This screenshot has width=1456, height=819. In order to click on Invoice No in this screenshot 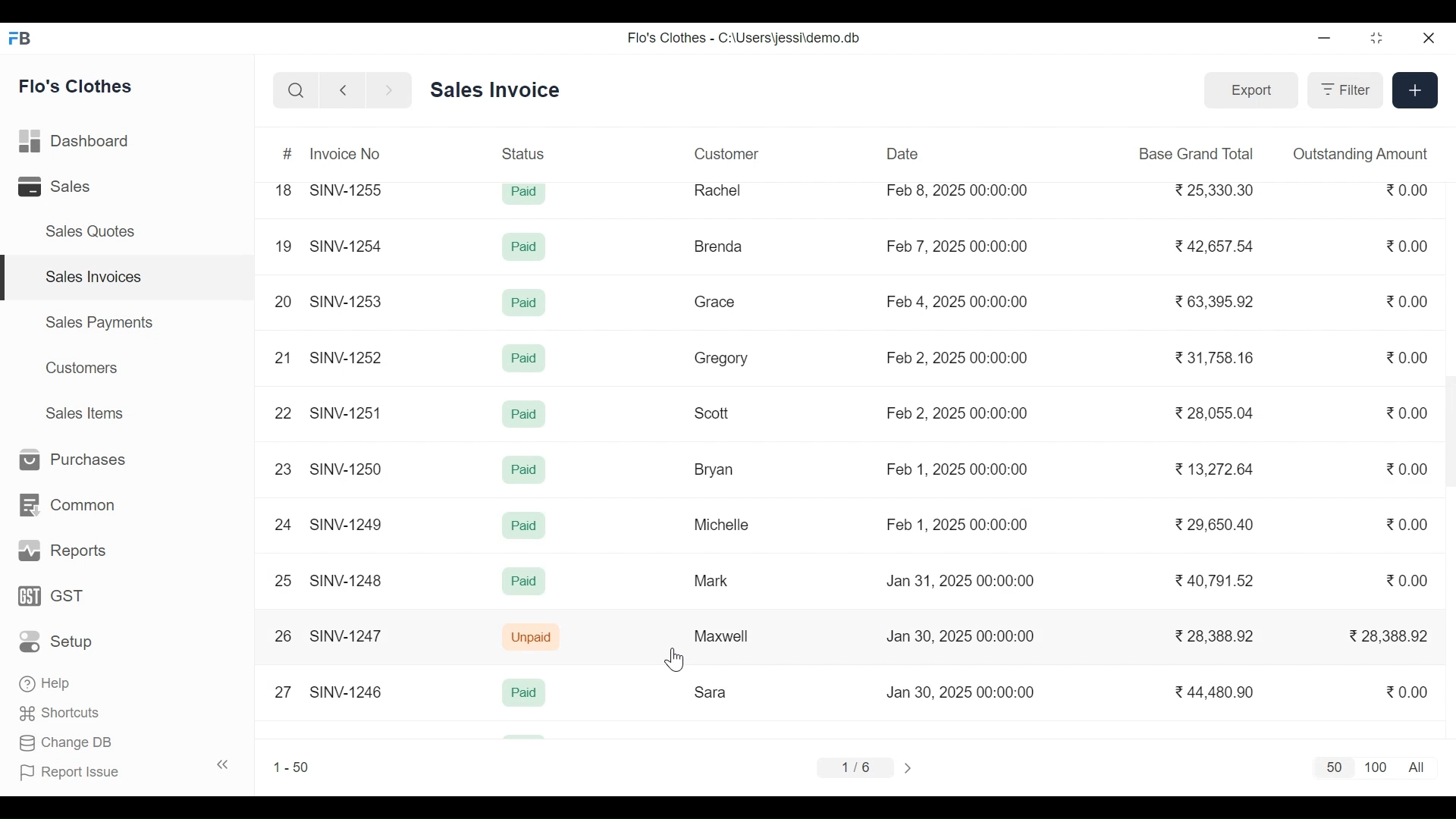, I will do `click(346, 153)`.